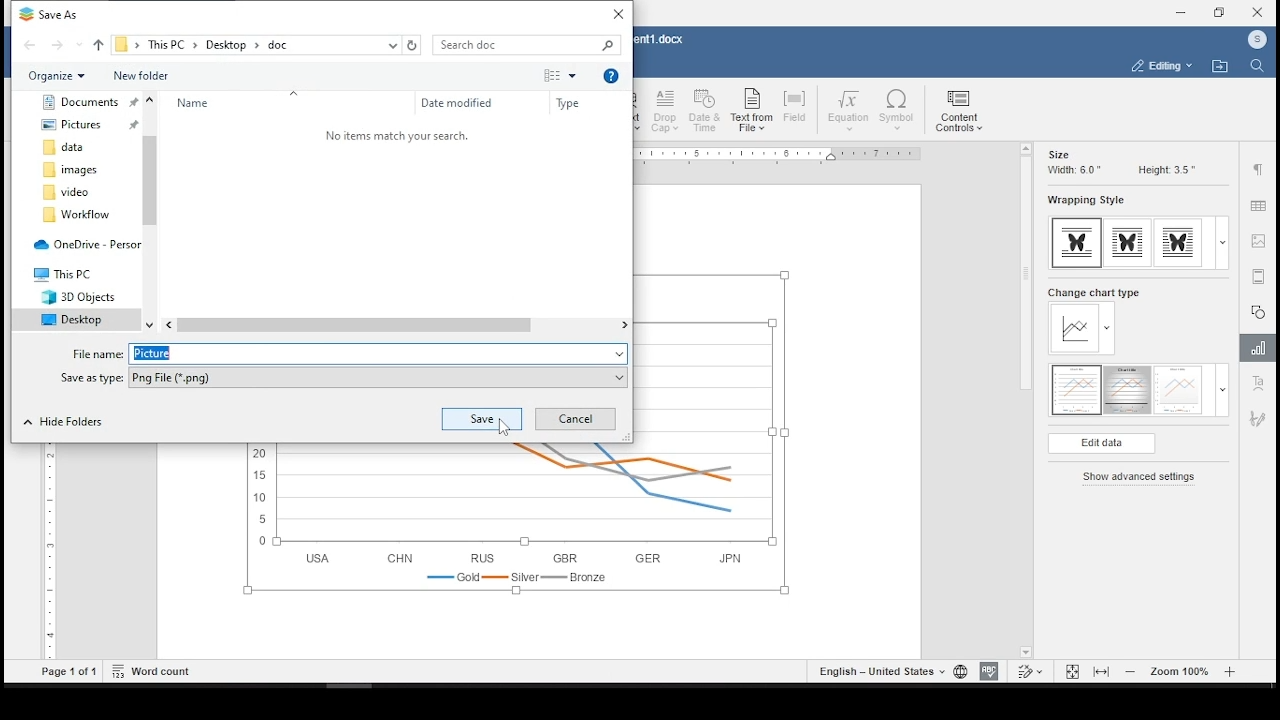 This screenshot has width=1280, height=720. I want to click on select workspace, so click(1161, 67).